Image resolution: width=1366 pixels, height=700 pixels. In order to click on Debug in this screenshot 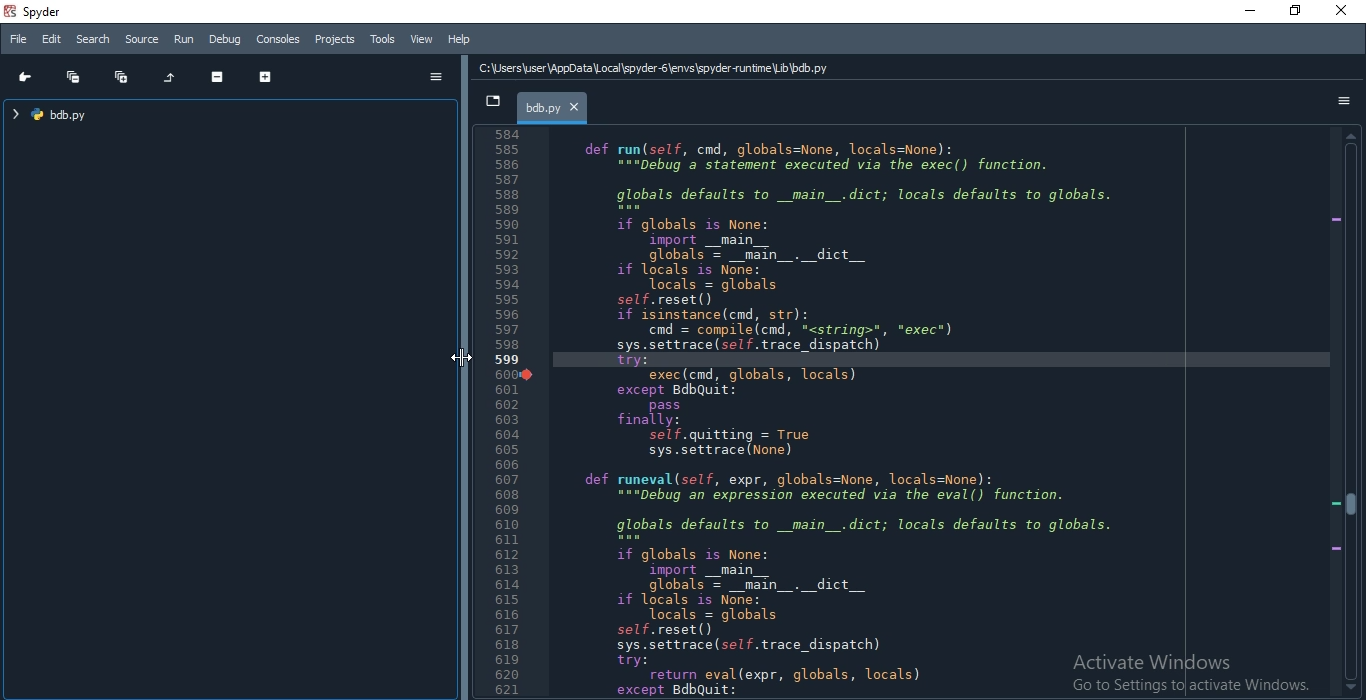, I will do `click(226, 39)`.